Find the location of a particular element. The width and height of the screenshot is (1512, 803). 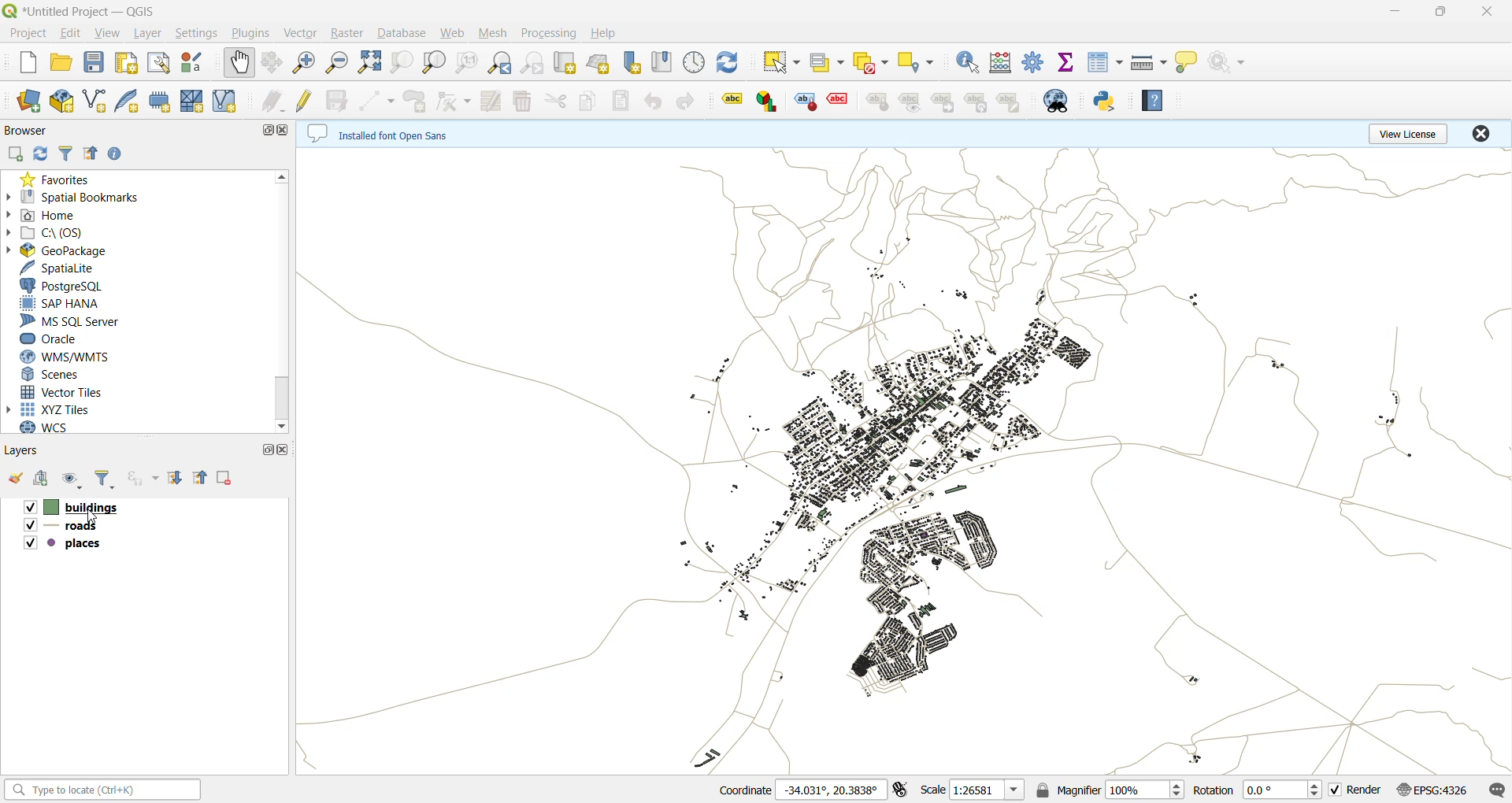

toggle display of unplaced is located at coordinates (839, 101).